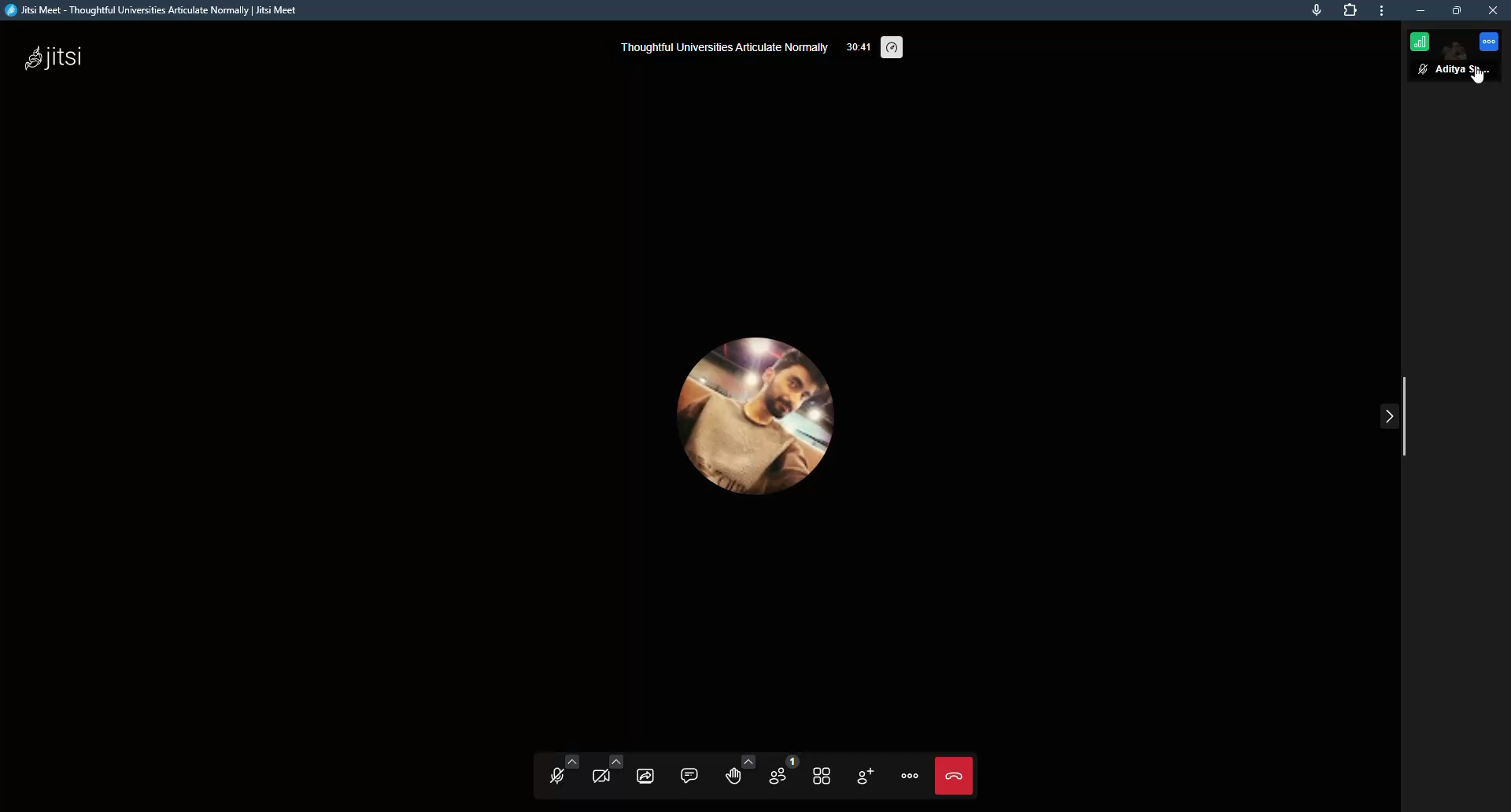 This screenshot has height=812, width=1511. I want to click on more, so click(1382, 12).